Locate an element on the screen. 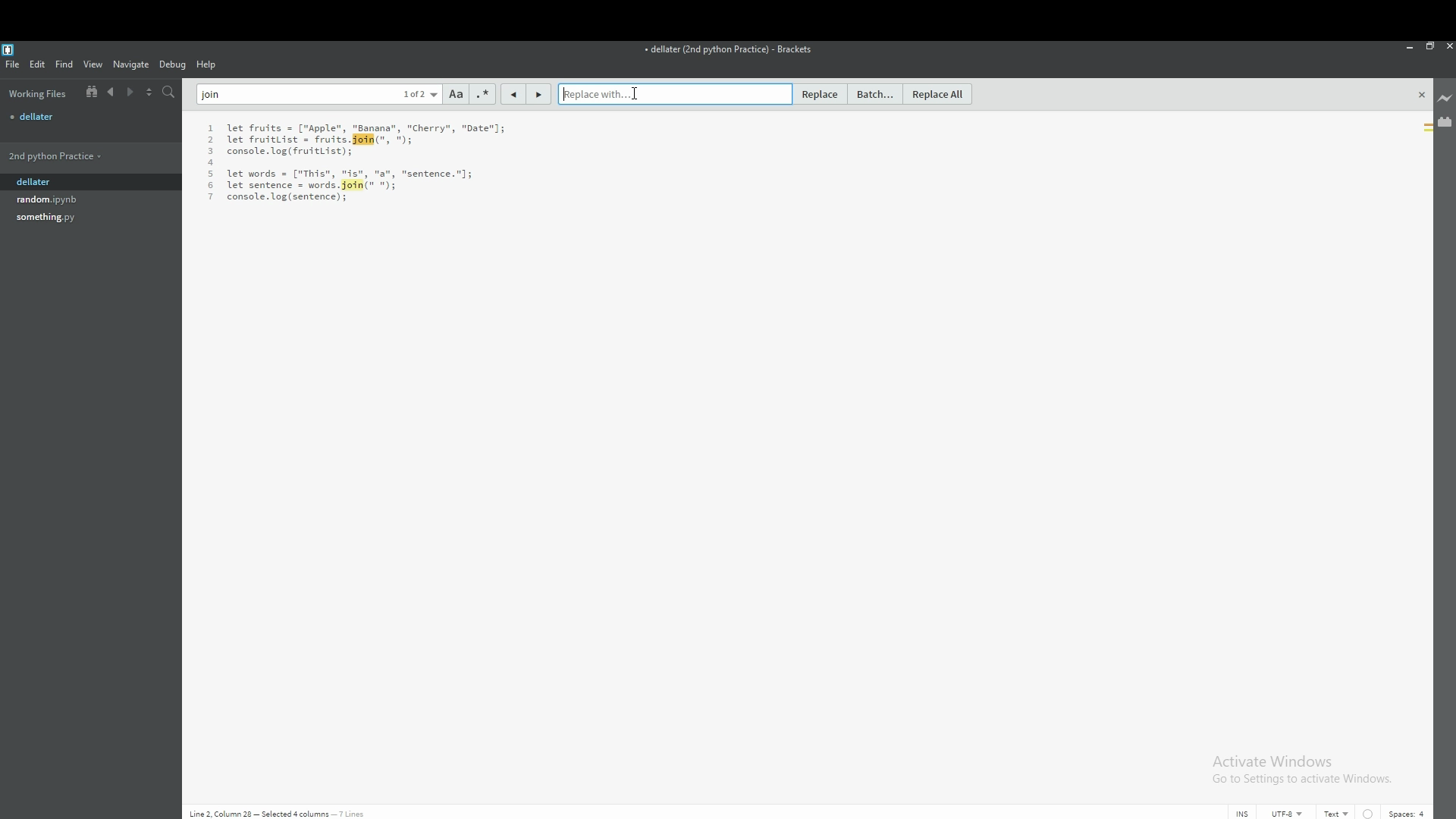 This screenshot has height=819, width=1456. file is located at coordinates (14, 64).